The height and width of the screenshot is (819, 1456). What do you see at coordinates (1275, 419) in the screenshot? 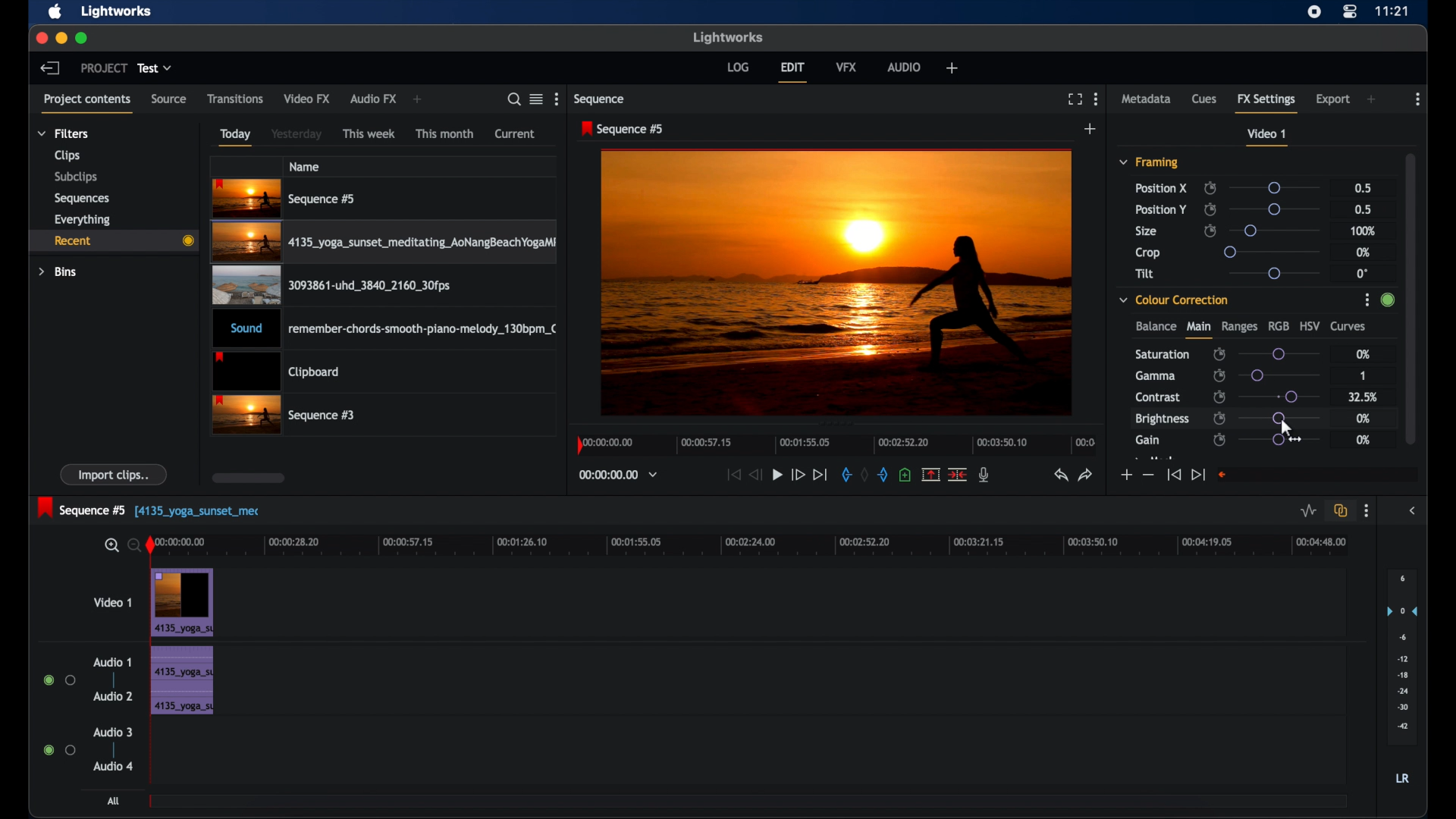
I see `slider` at bounding box center [1275, 419].